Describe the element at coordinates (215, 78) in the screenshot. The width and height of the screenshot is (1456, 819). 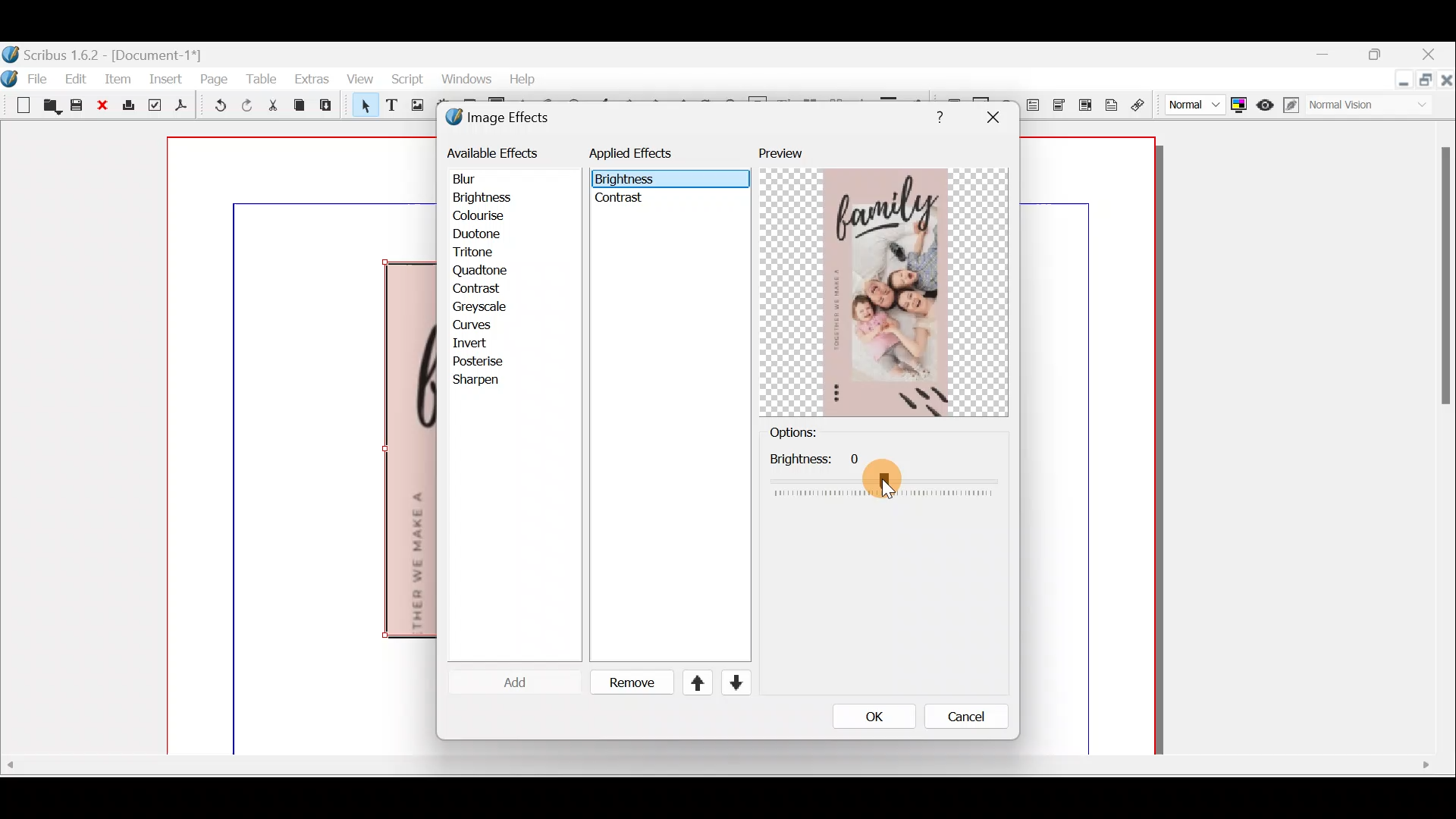
I see `Page` at that location.